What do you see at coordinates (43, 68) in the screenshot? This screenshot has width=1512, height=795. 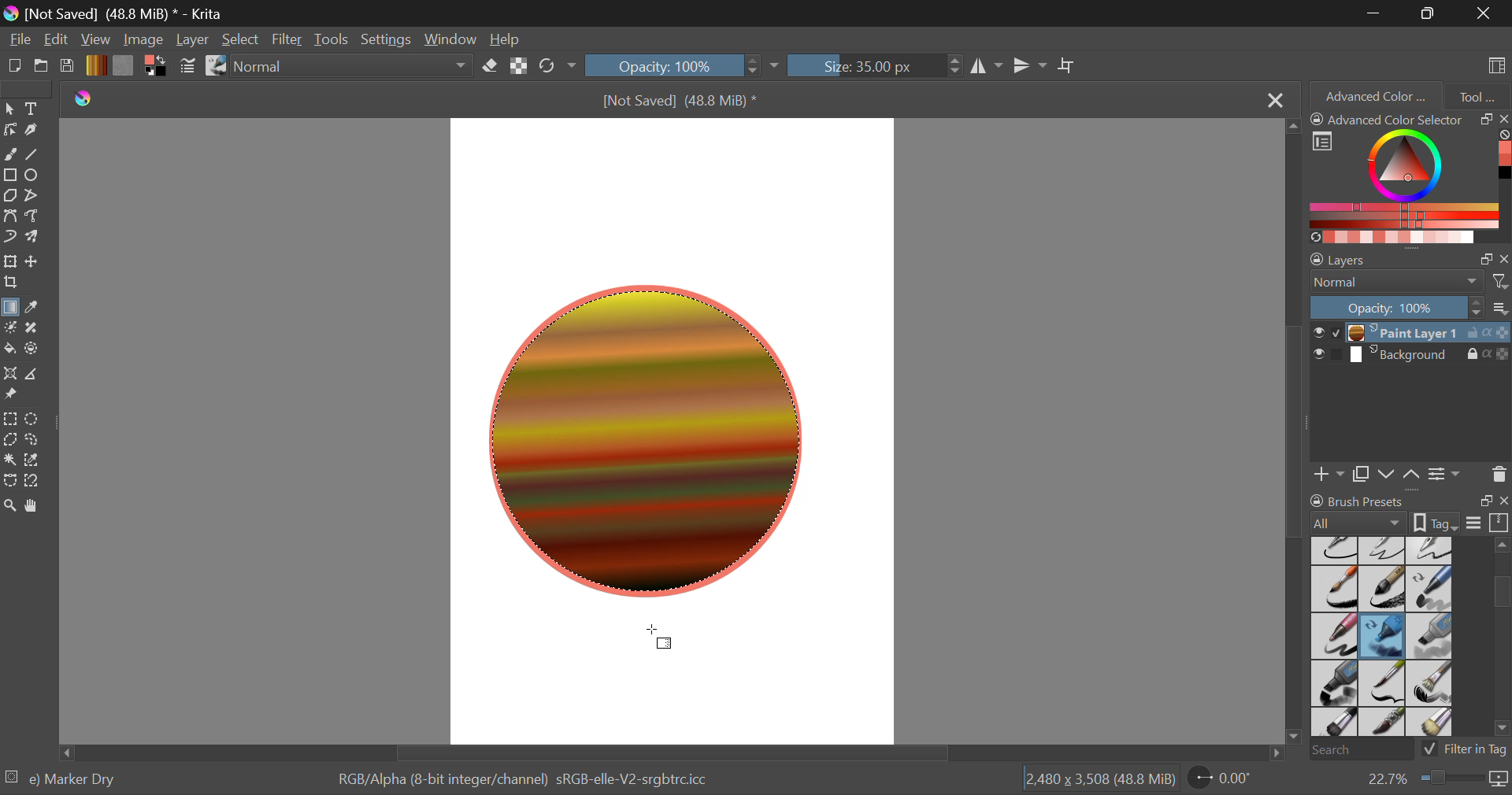 I see `Open` at bounding box center [43, 68].